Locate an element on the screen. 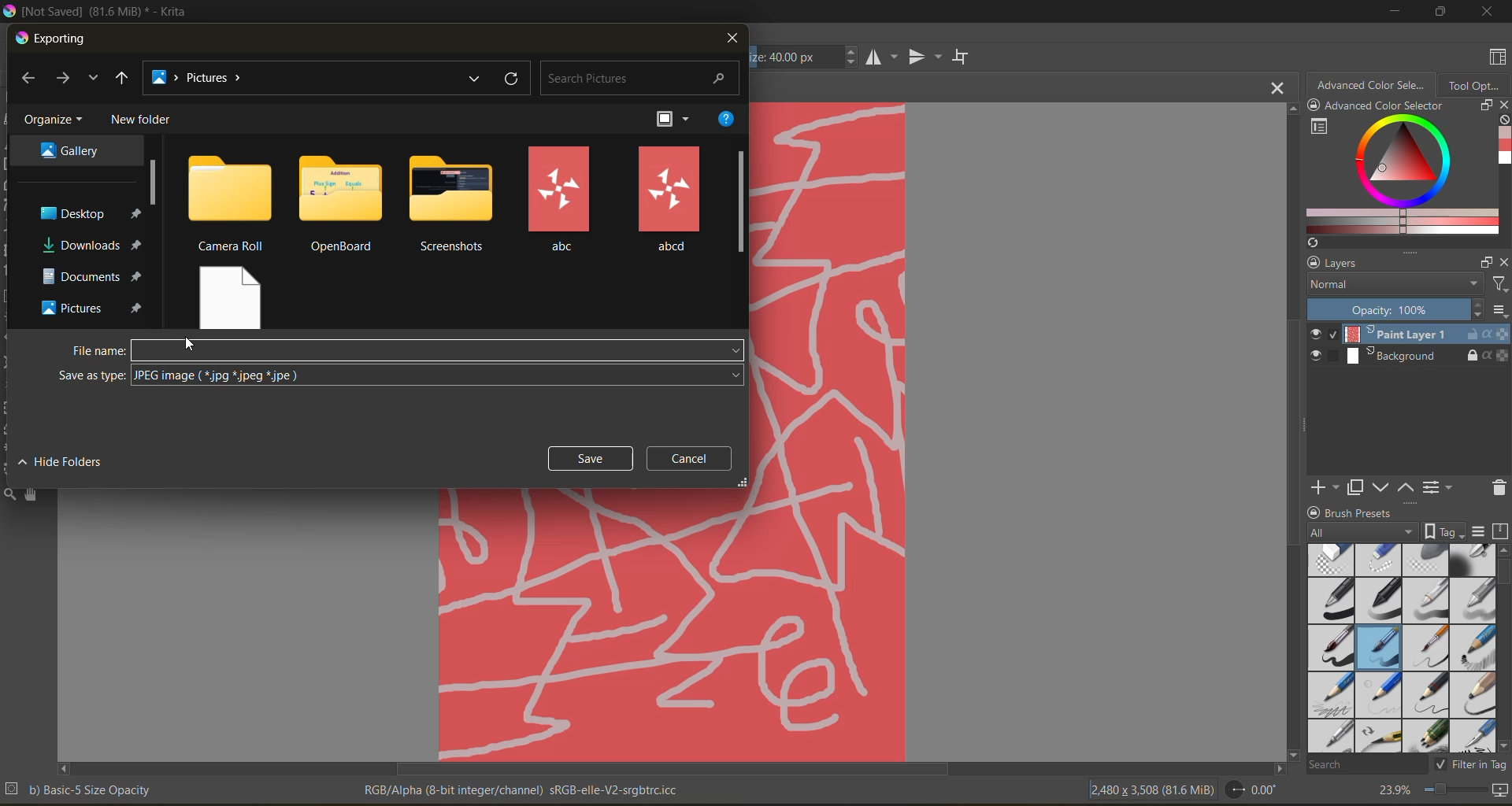  search is located at coordinates (642, 80).